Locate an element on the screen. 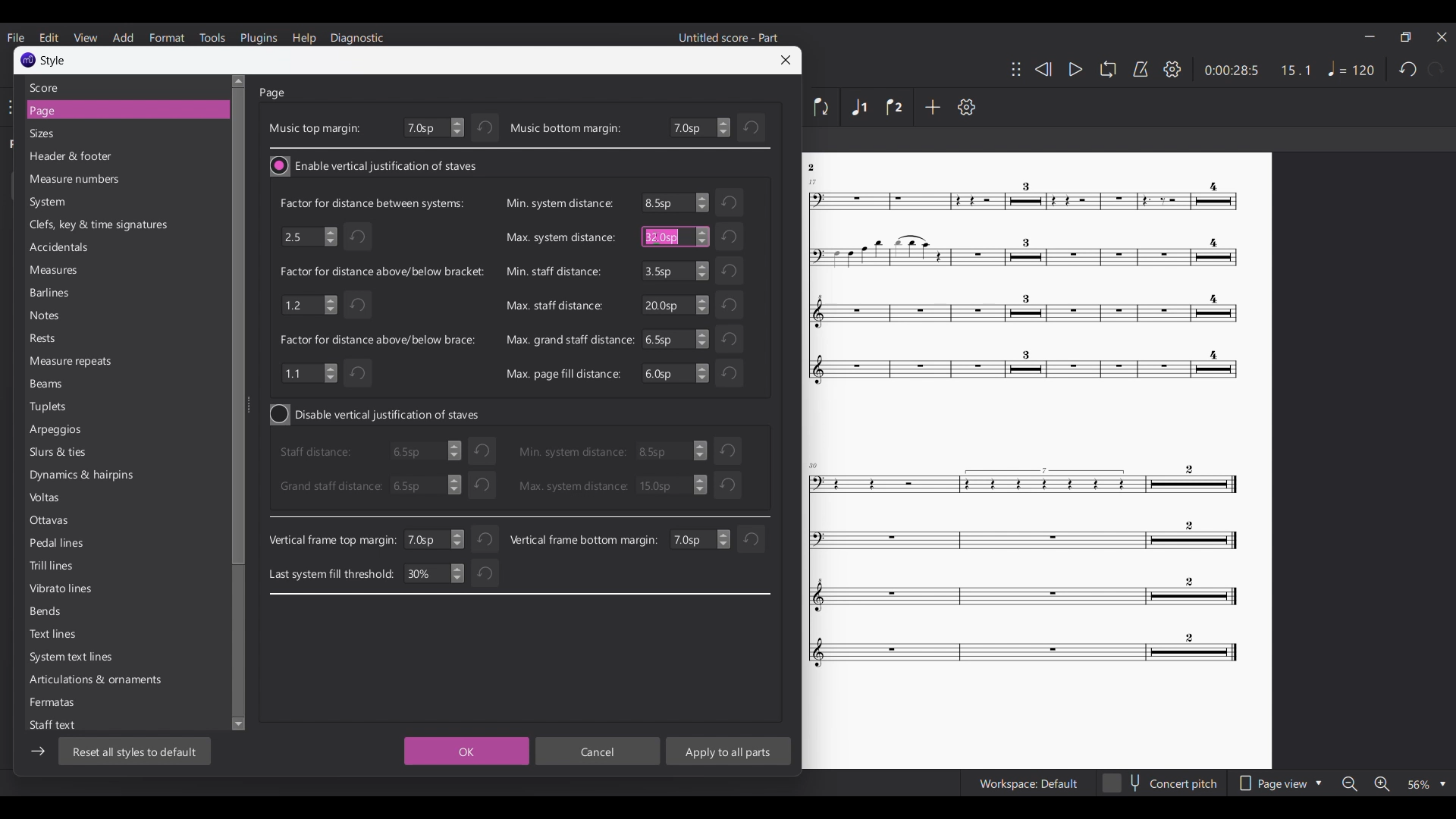 The width and height of the screenshot is (1456, 819). 6.5sp is located at coordinates (673, 374).